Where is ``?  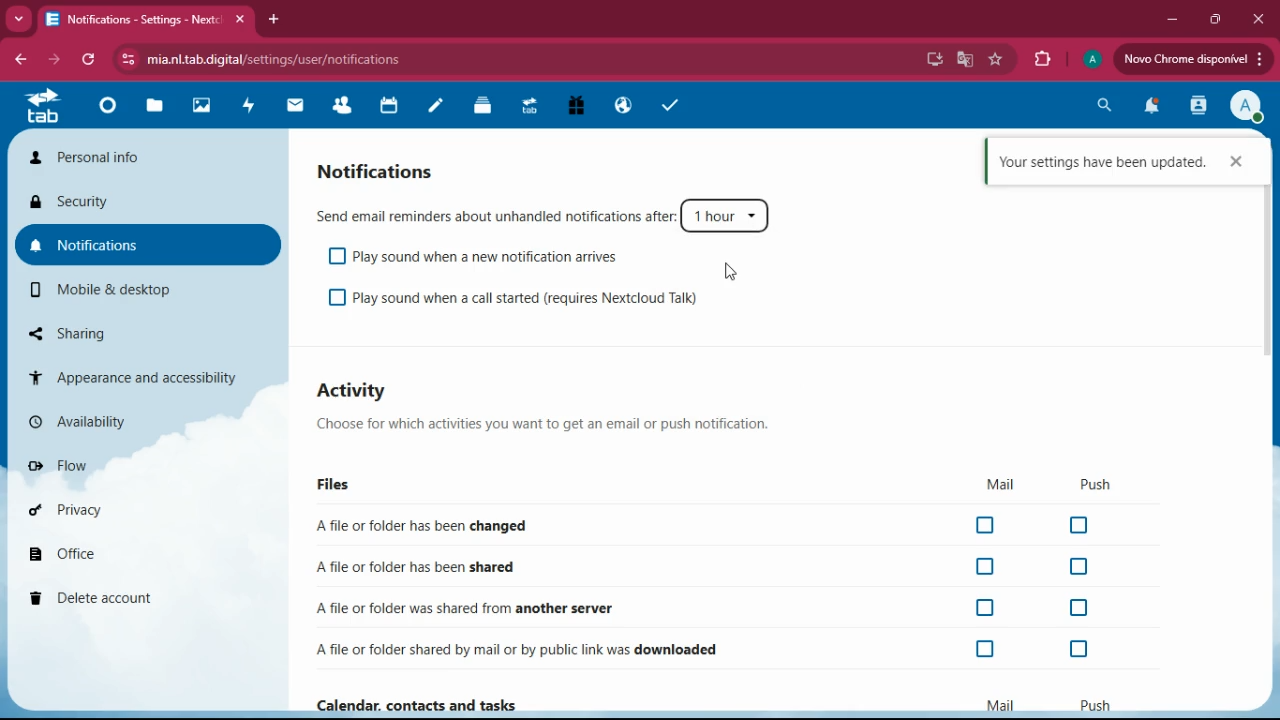
 is located at coordinates (273, 19).